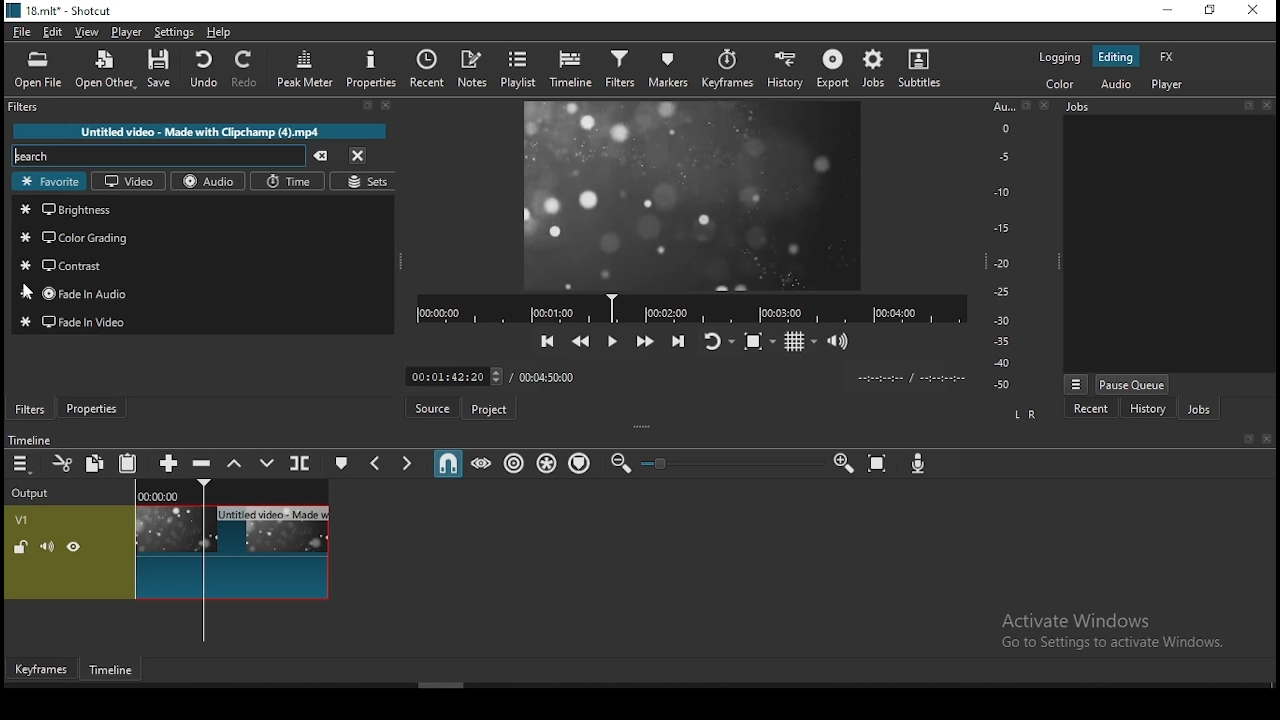  I want to click on open file, so click(38, 71).